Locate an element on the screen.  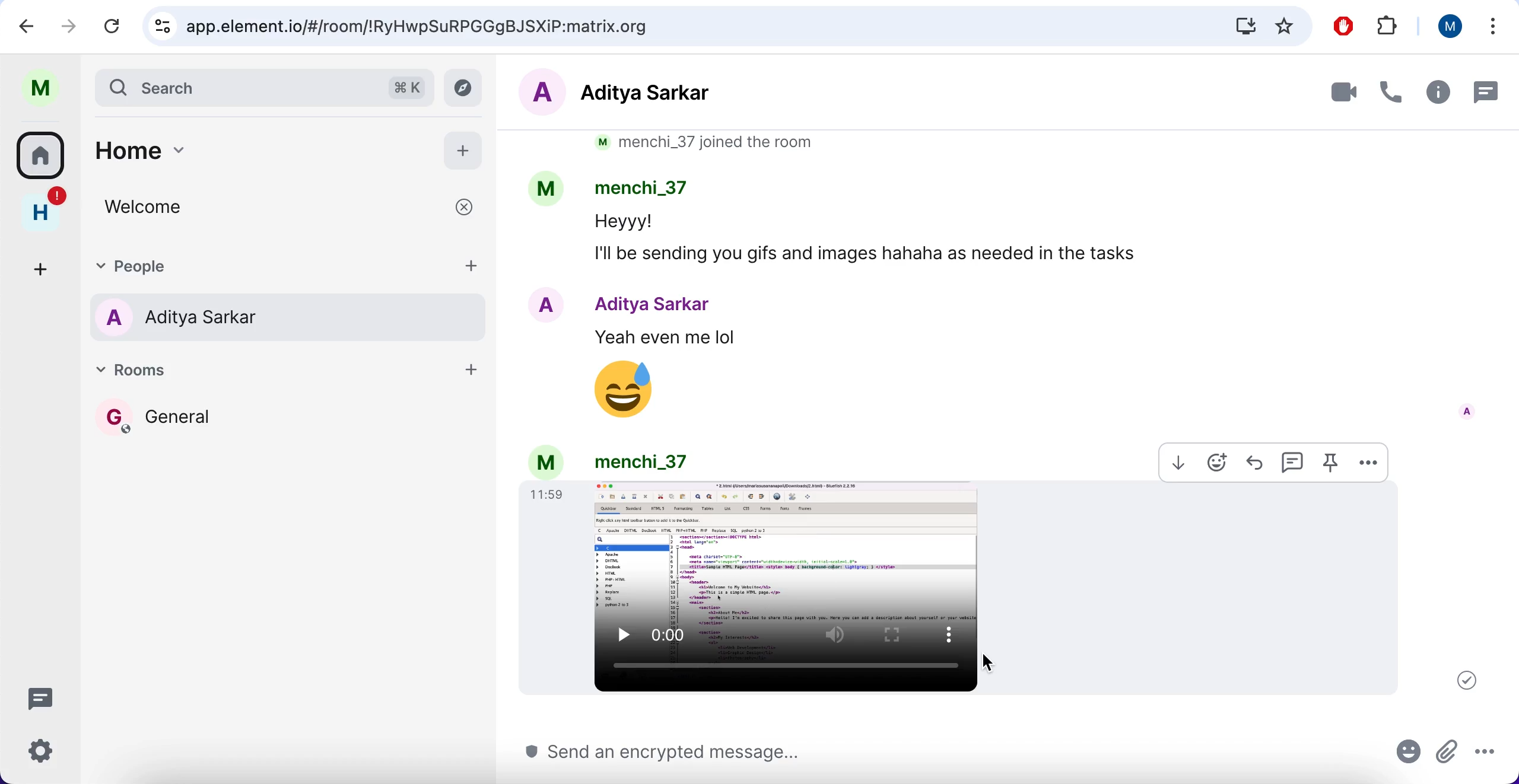
reply is located at coordinates (1253, 464).